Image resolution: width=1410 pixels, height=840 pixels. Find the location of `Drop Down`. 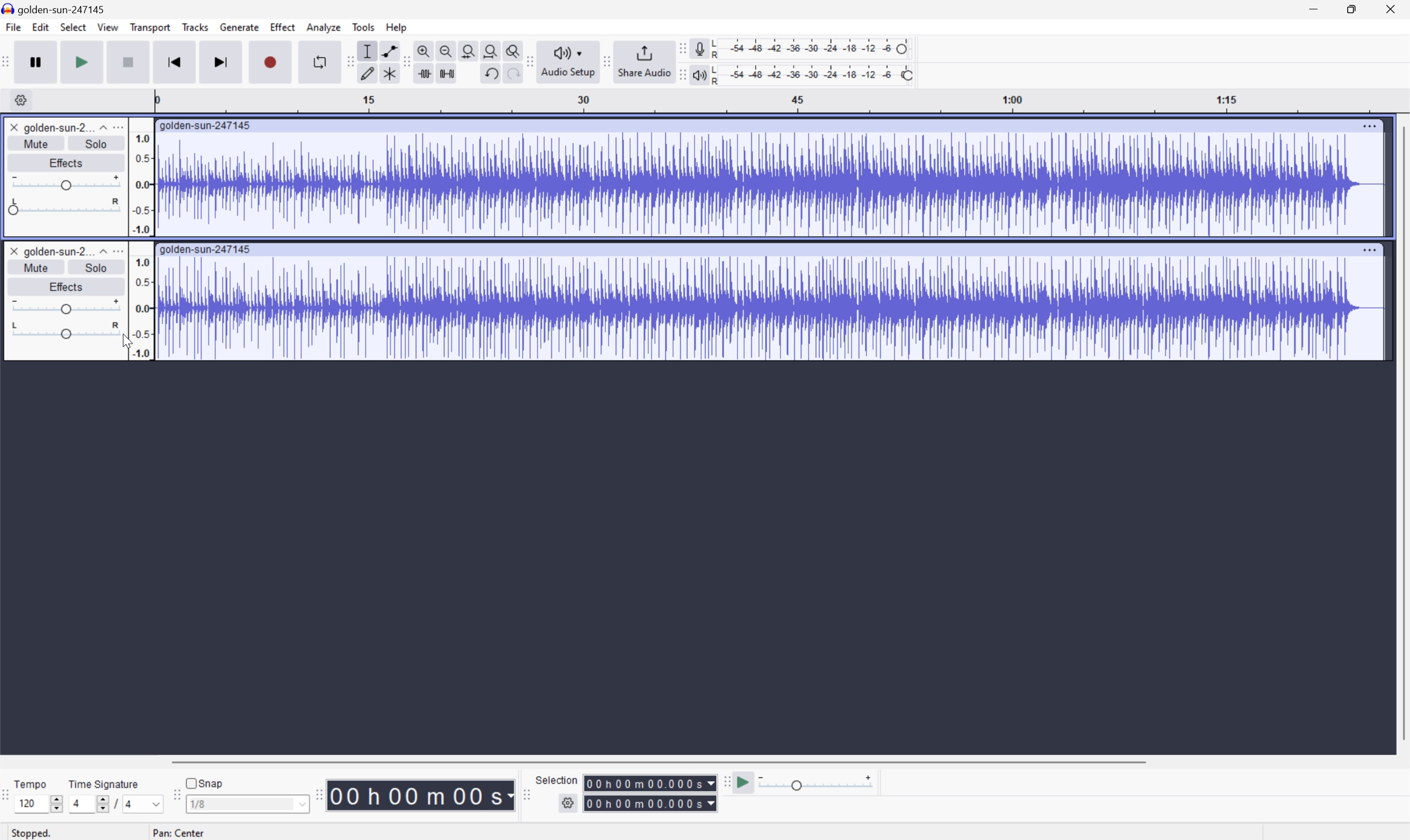

Drop Down is located at coordinates (156, 803).